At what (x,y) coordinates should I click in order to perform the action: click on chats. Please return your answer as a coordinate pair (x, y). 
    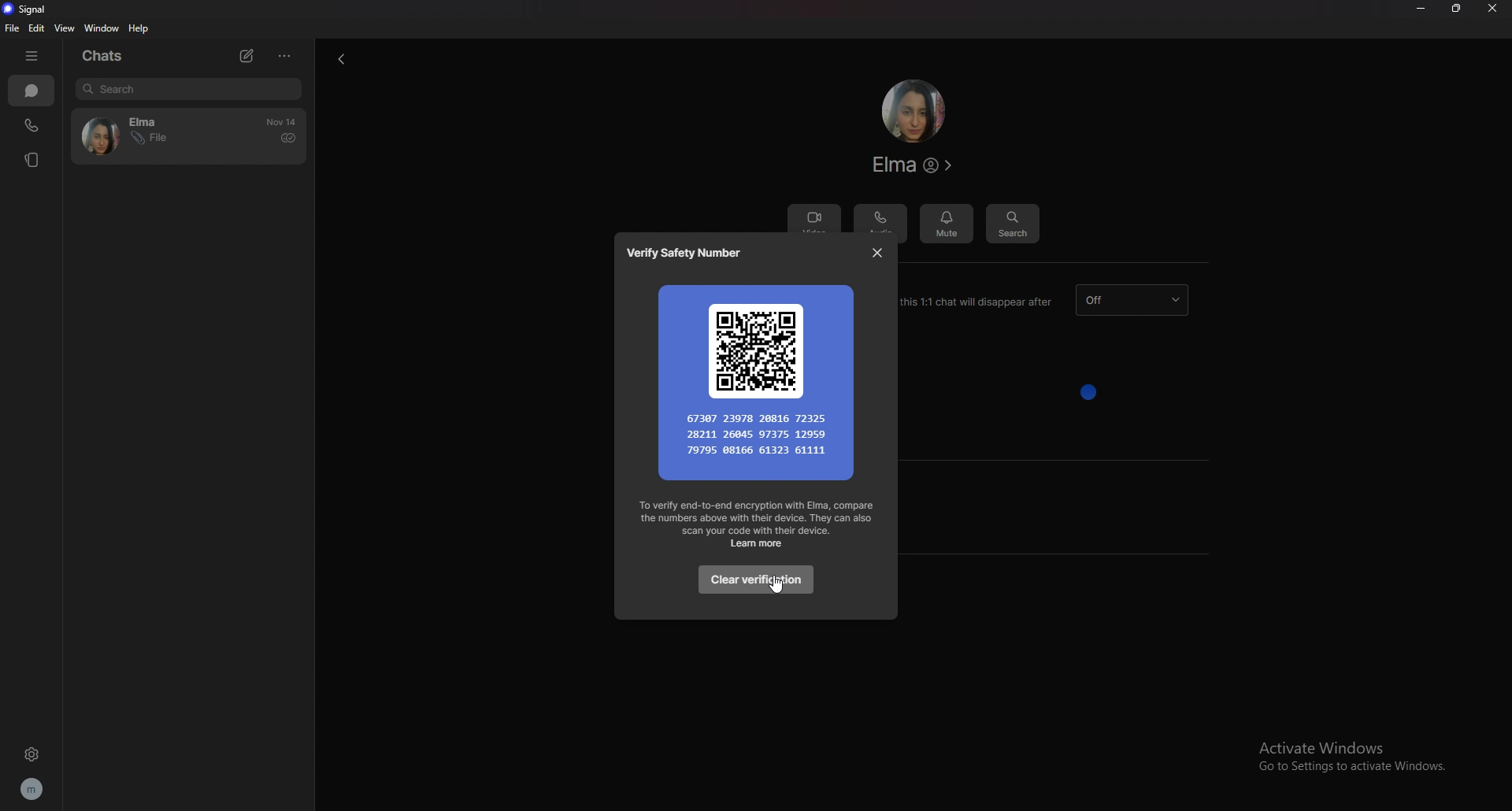
    Looking at the image, I should click on (31, 91).